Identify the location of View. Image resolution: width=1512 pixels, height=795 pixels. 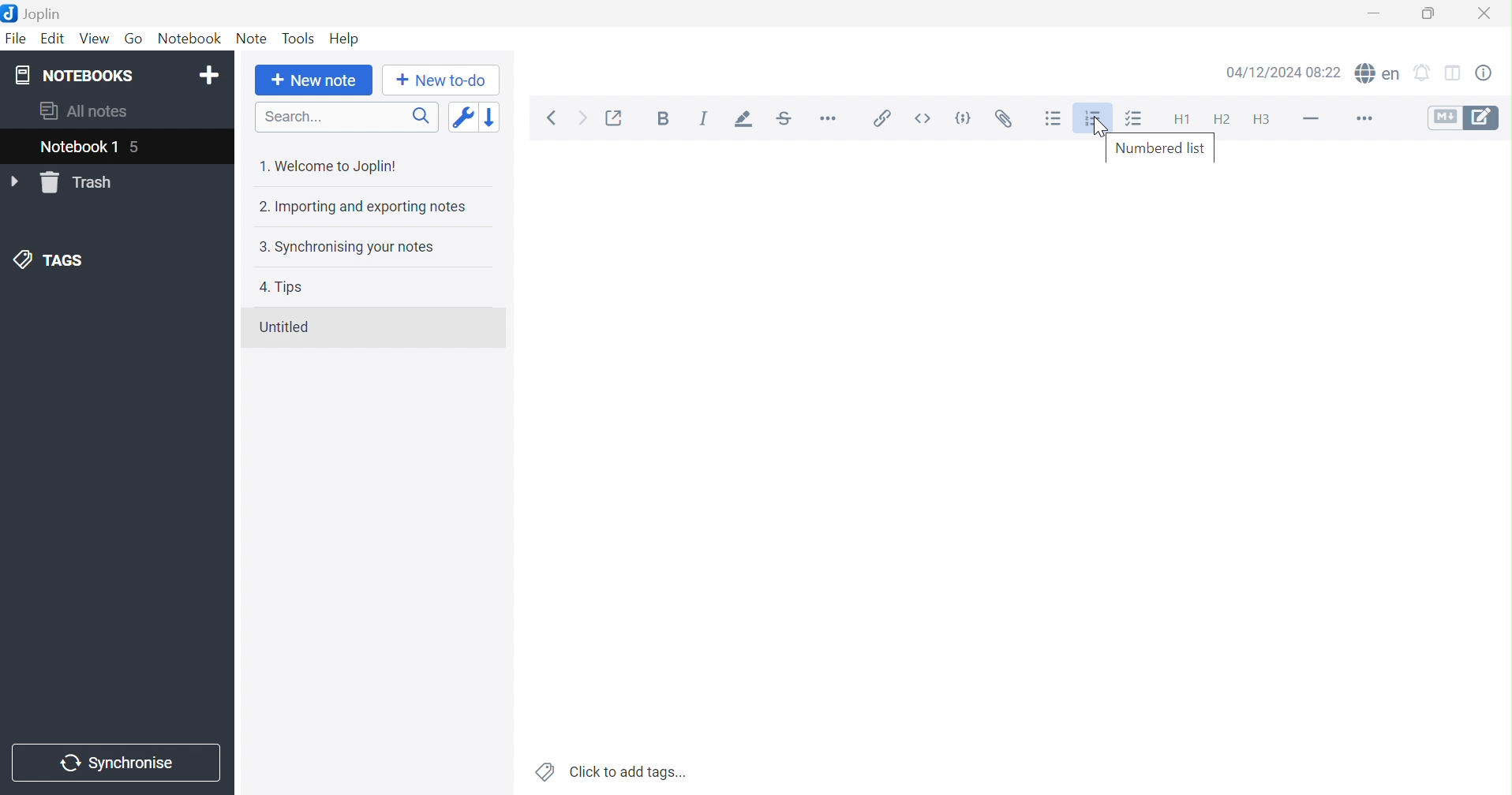
(96, 38).